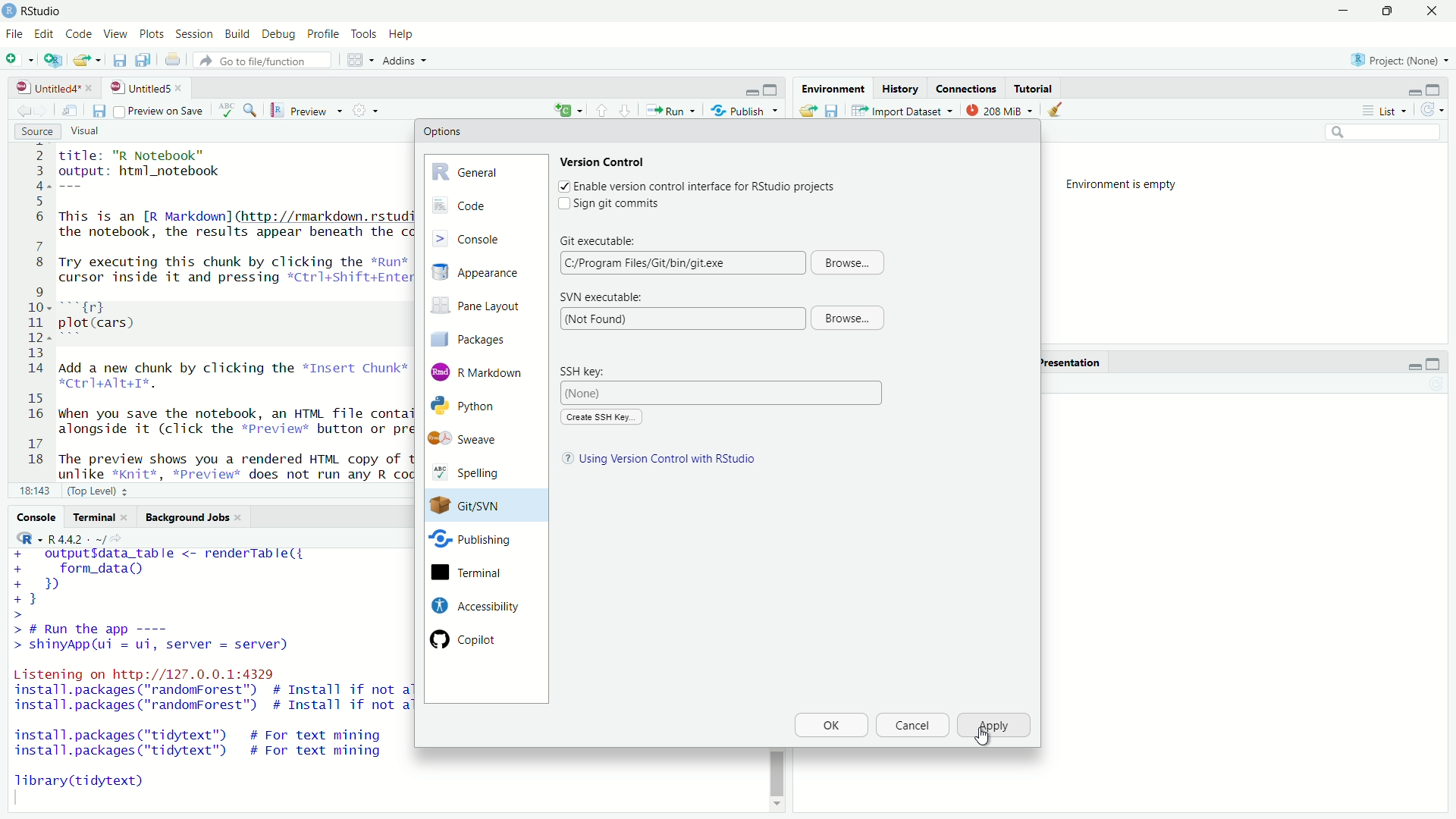  Describe the element at coordinates (38, 132) in the screenshot. I see `Source` at that location.